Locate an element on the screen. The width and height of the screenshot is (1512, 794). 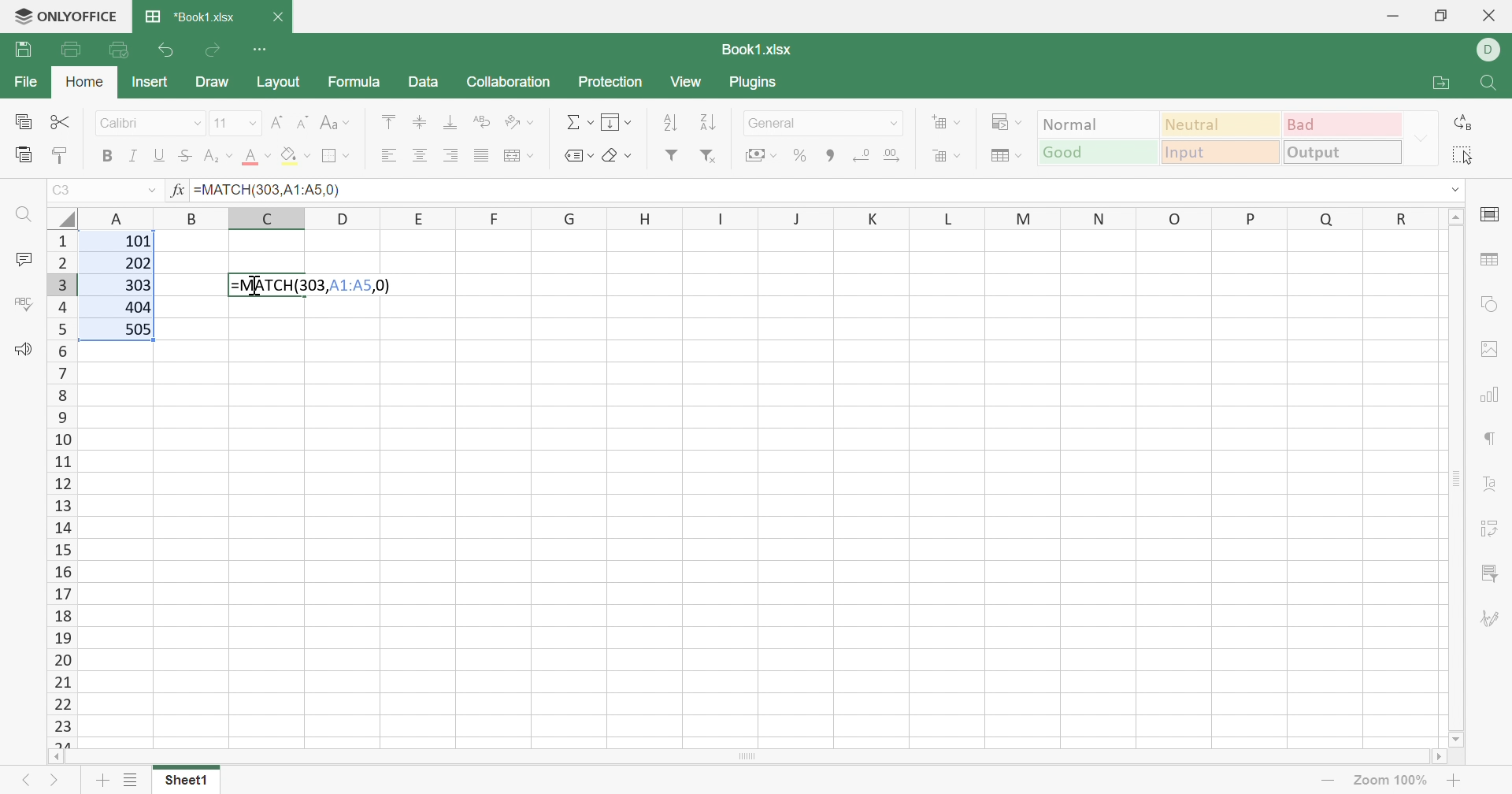
Text Art settings is located at coordinates (1496, 489).